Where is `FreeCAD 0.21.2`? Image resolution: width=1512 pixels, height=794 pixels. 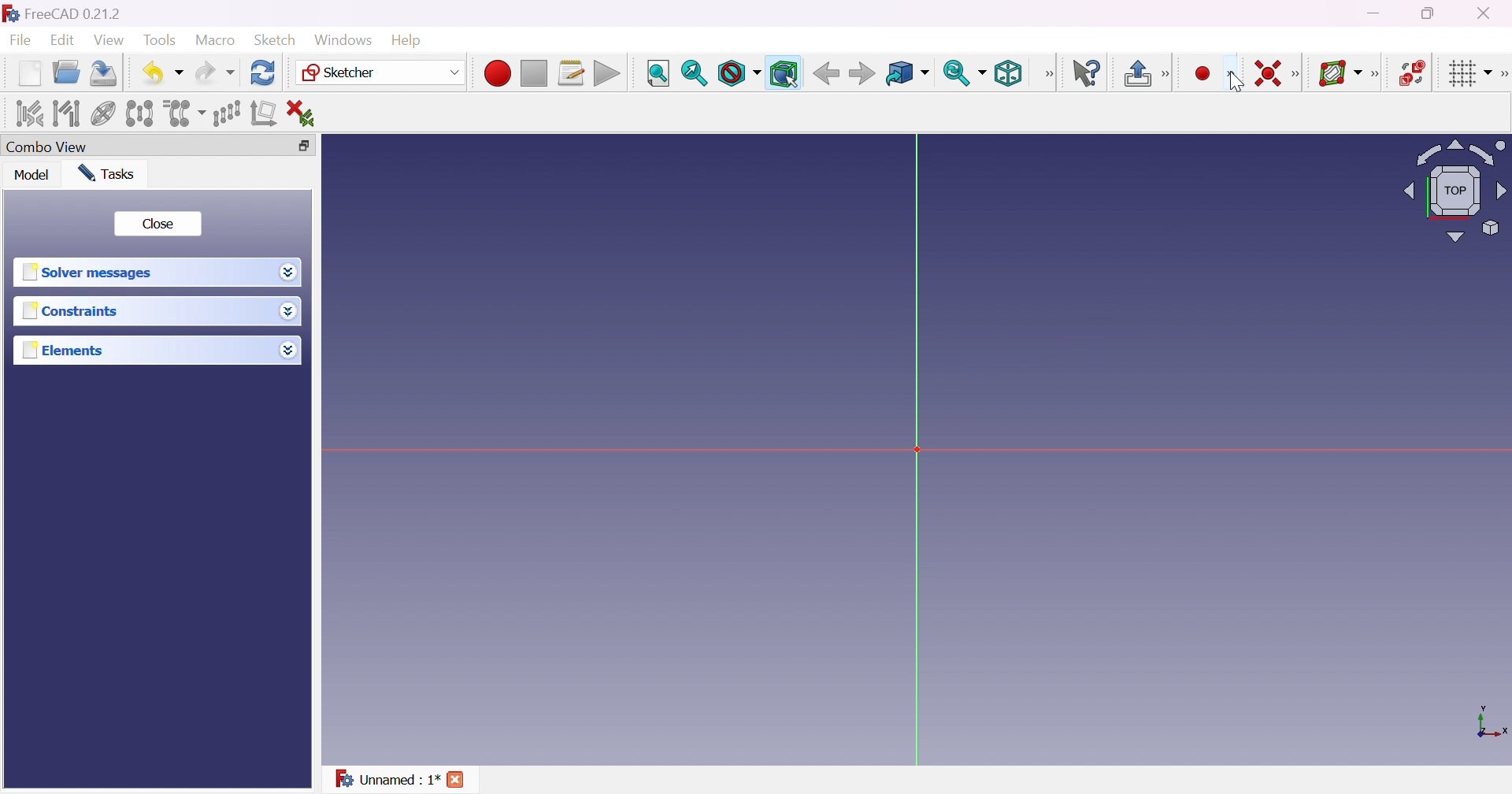
FreeCAD 0.21.2 is located at coordinates (74, 13).